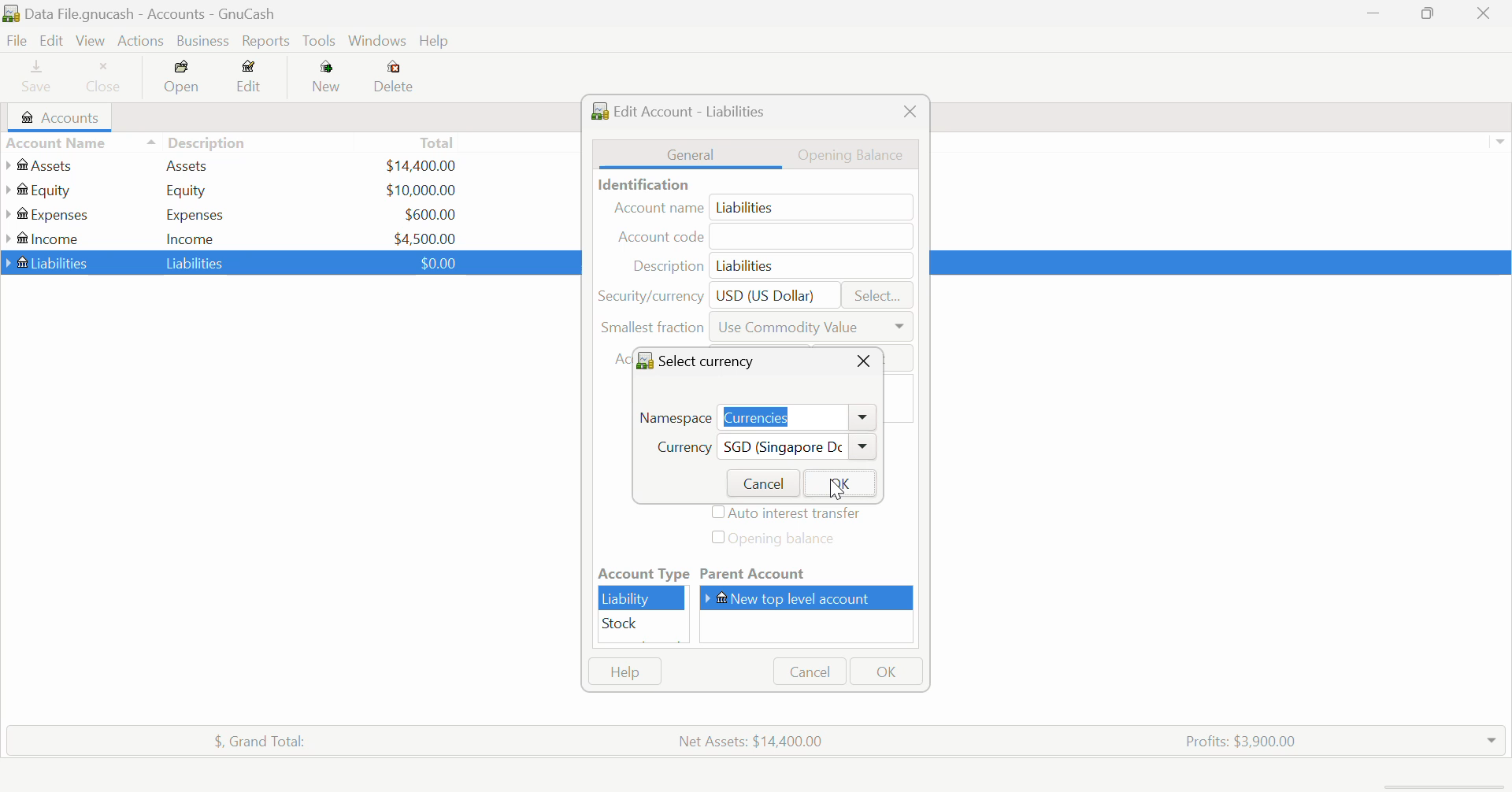  I want to click on Profits, so click(1234, 739).